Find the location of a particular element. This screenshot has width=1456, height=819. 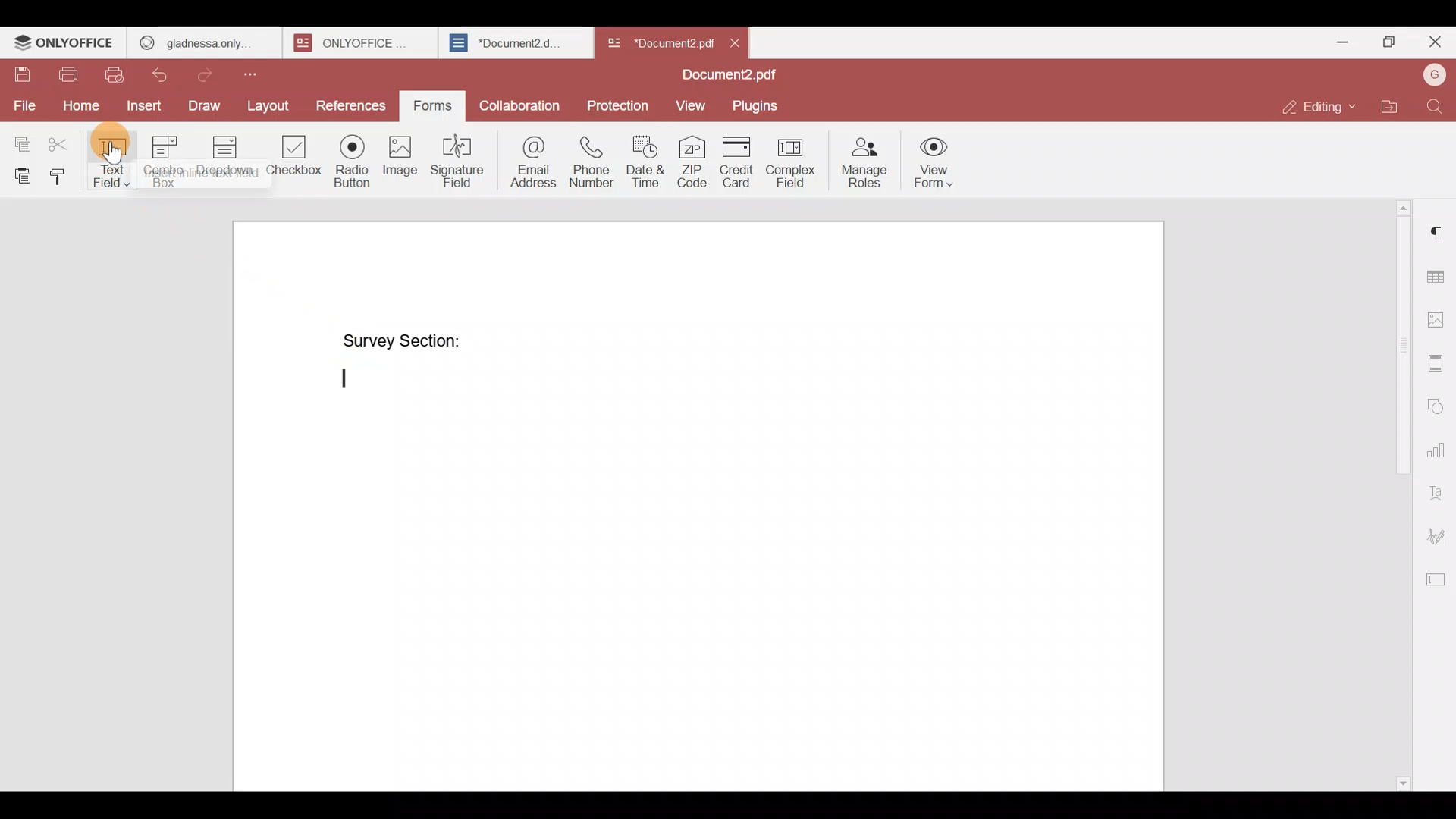

Dropdown is located at coordinates (221, 158).